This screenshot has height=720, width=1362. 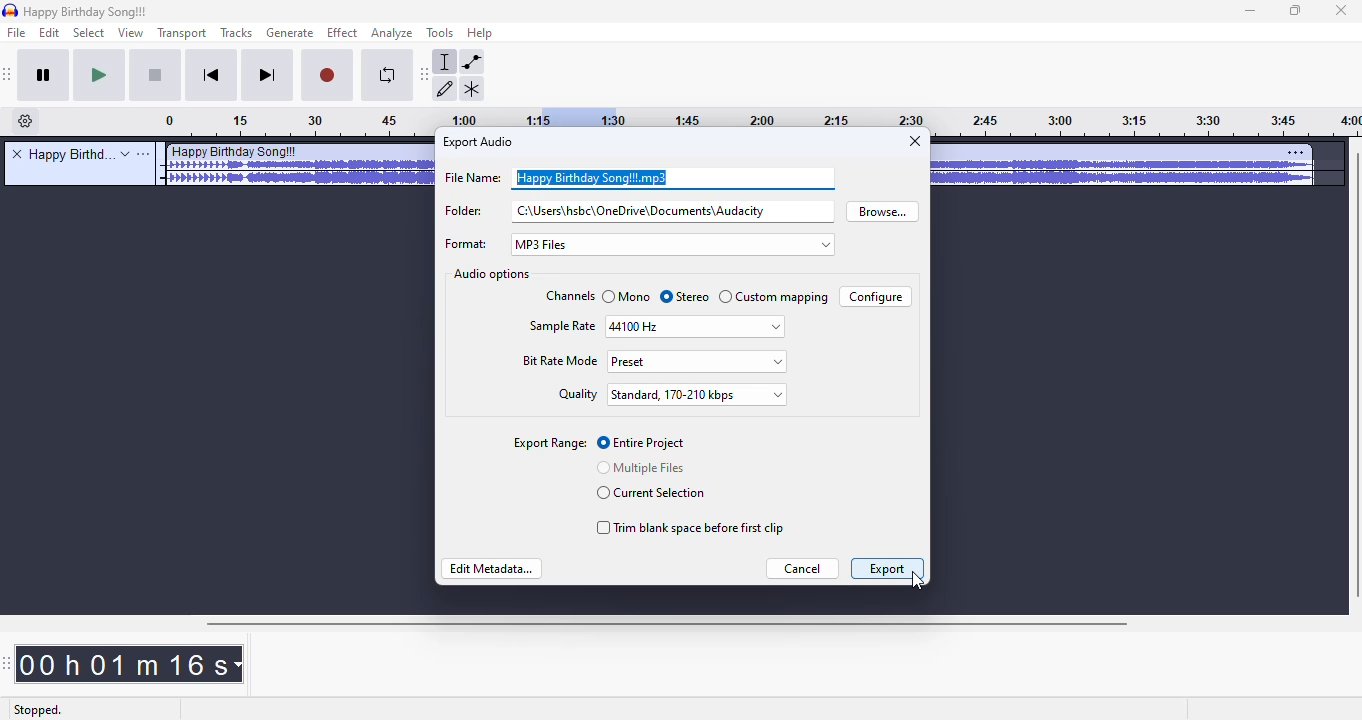 I want to click on Timeline, so click(x=299, y=123).